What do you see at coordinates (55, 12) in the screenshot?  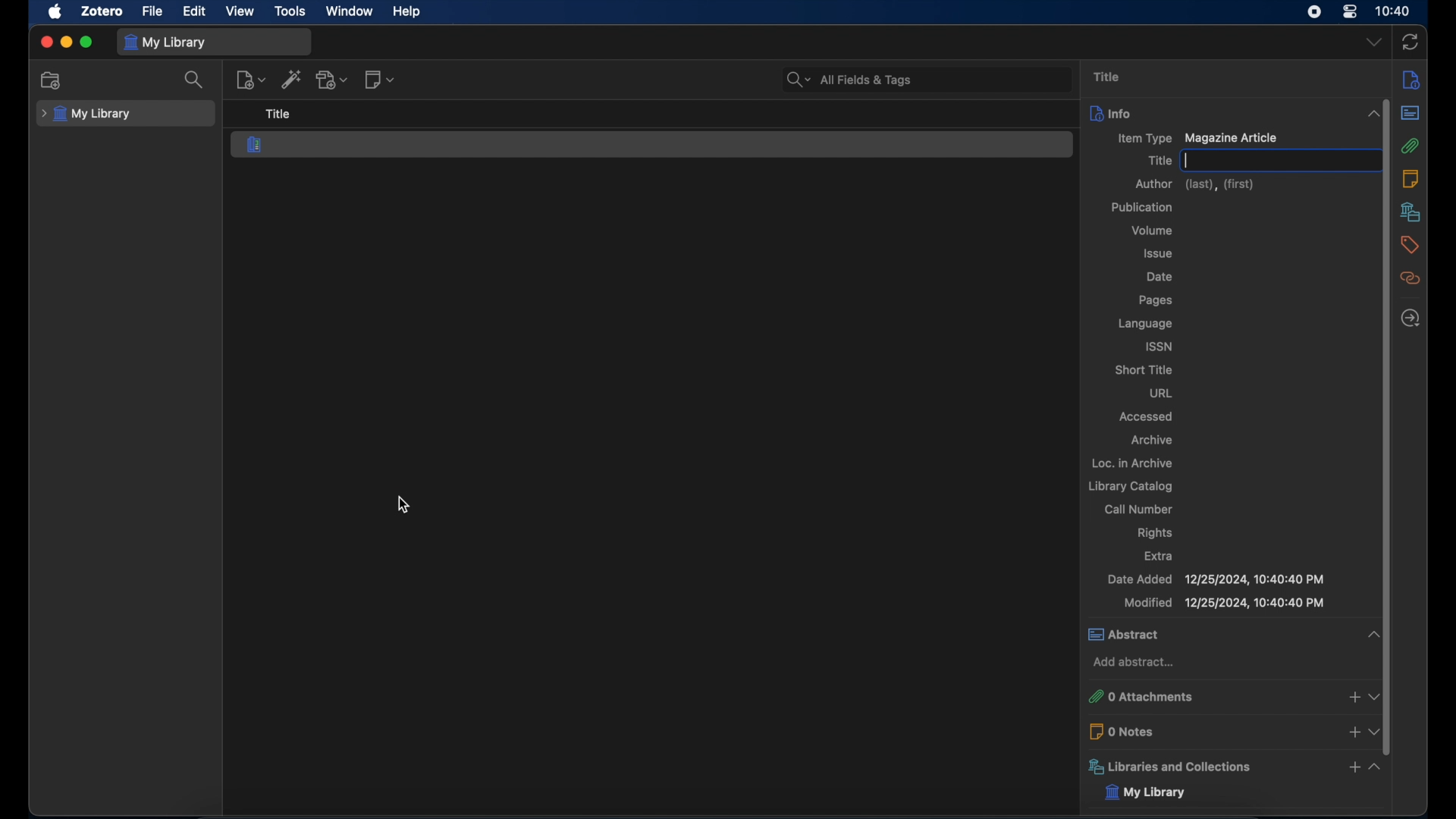 I see `apple` at bounding box center [55, 12].